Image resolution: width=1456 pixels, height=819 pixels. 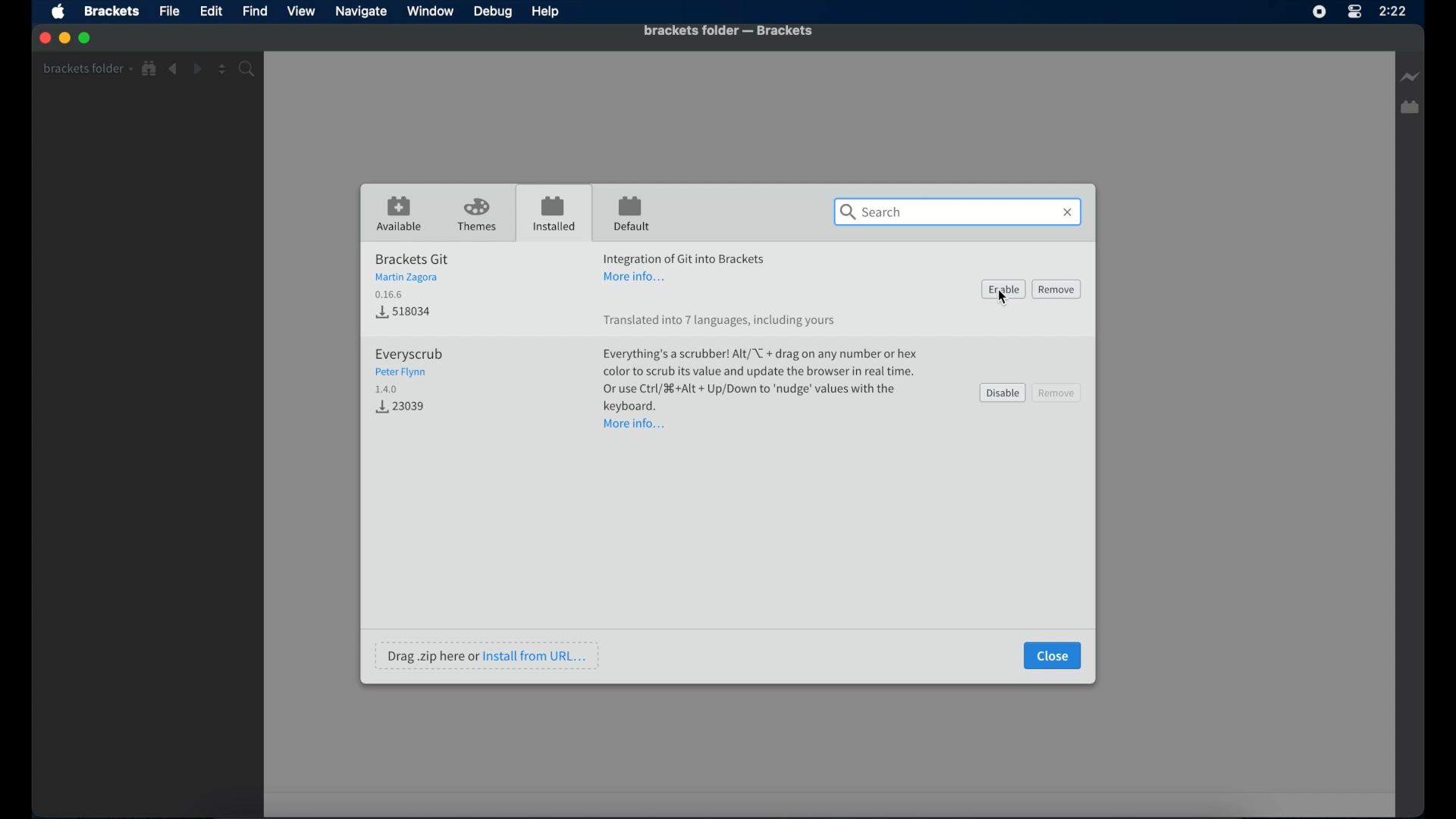 What do you see at coordinates (430, 11) in the screenshot?
I see `window` at bounding box center [430, 11].